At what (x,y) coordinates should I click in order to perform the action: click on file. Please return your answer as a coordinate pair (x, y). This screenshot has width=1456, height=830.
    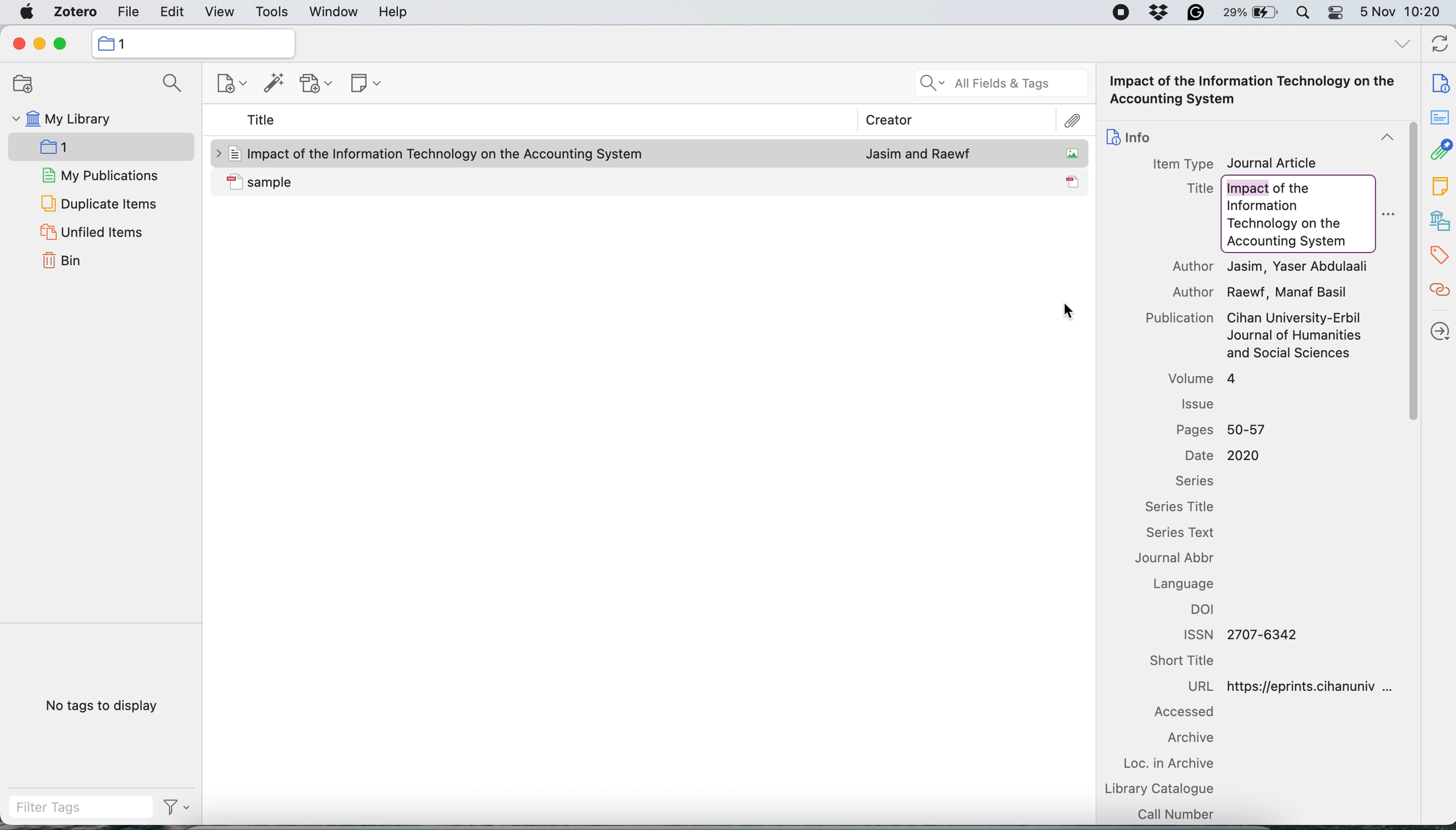
    Looking at the image, I should click on (128, 12).